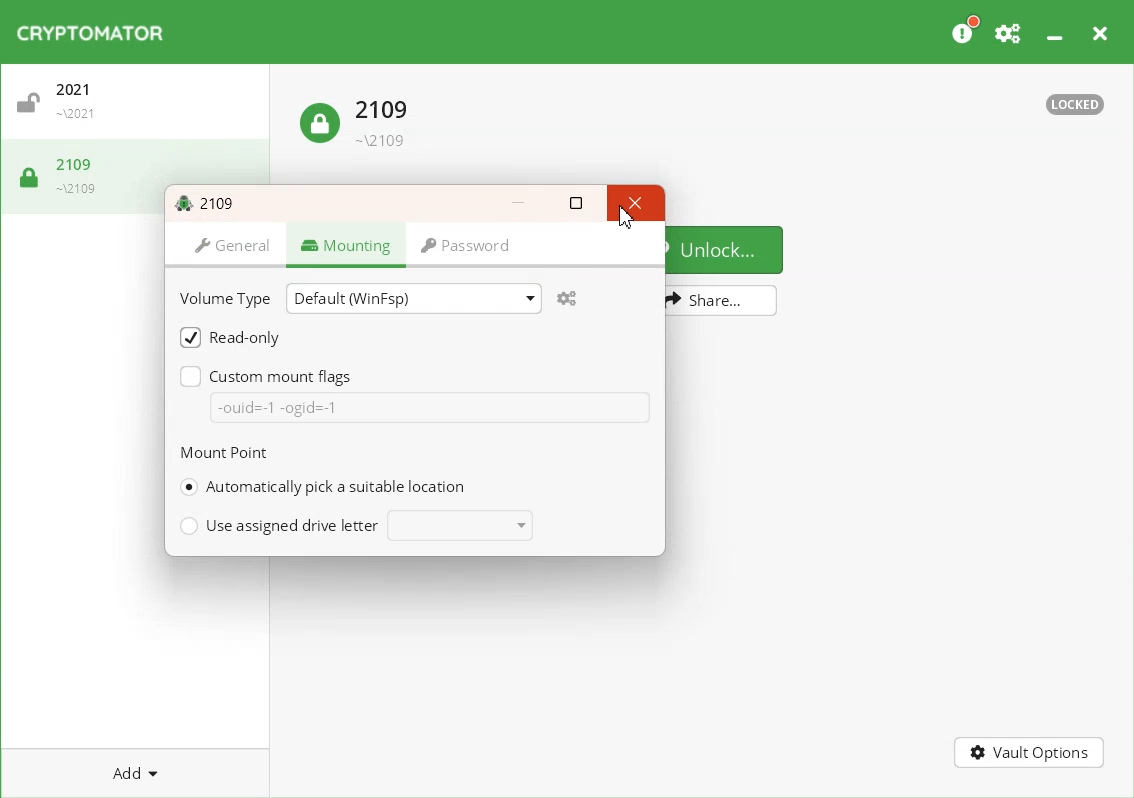 This screenshot has height=798, width=1134. I want to click on Text, so click(1075, 105).